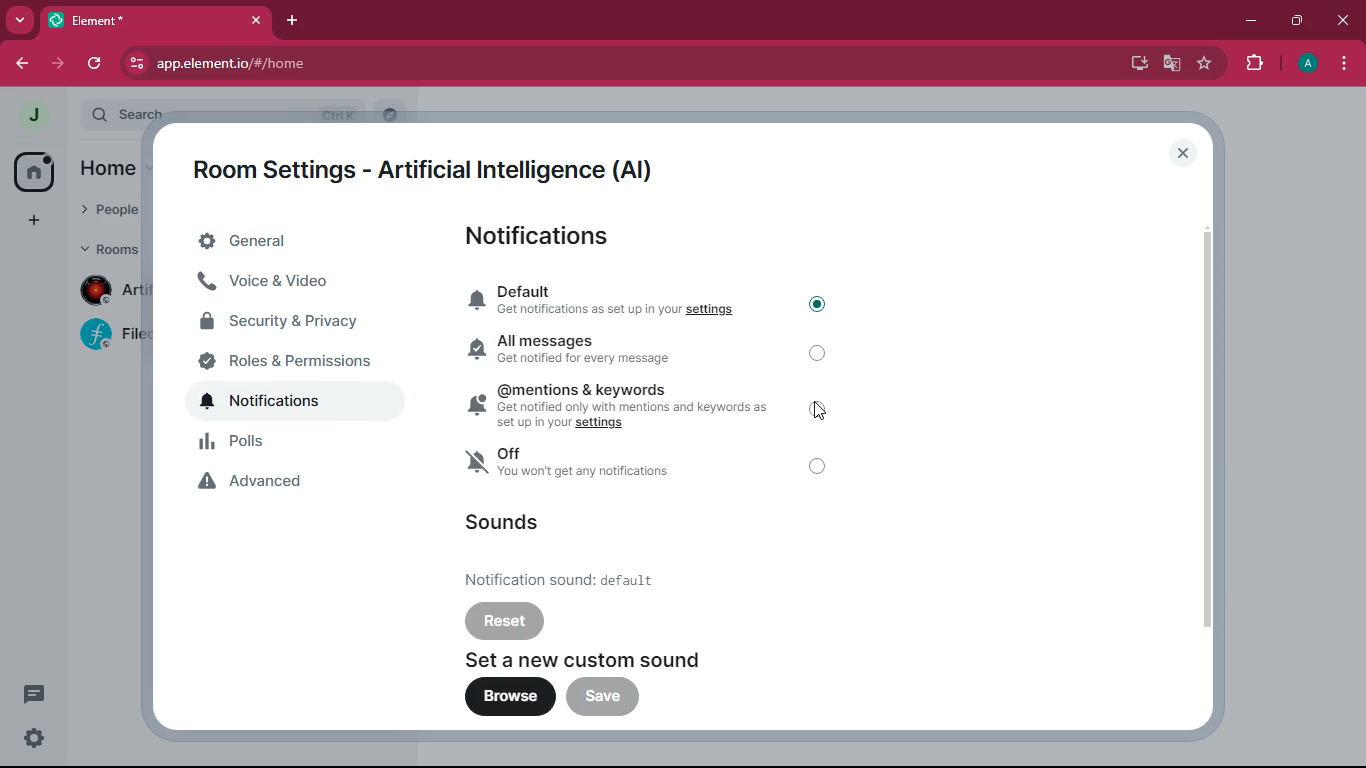 The height and width of the screenshot is (768, 1366). I want to click on default, so click(578, 578).